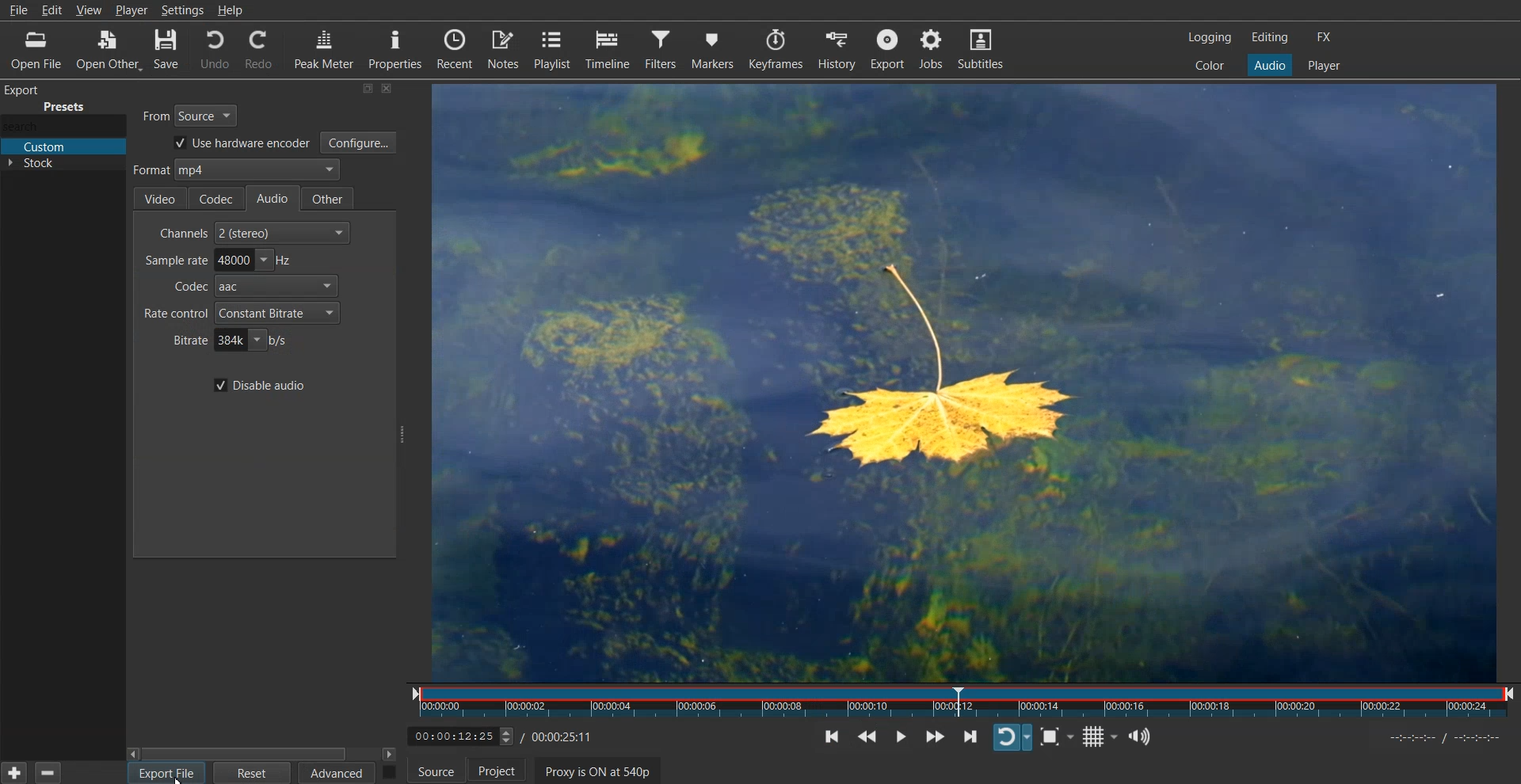  What do you see at coordinates (159, 199) in the screenshot?
I see `Video` at bounding box center [159, 199].